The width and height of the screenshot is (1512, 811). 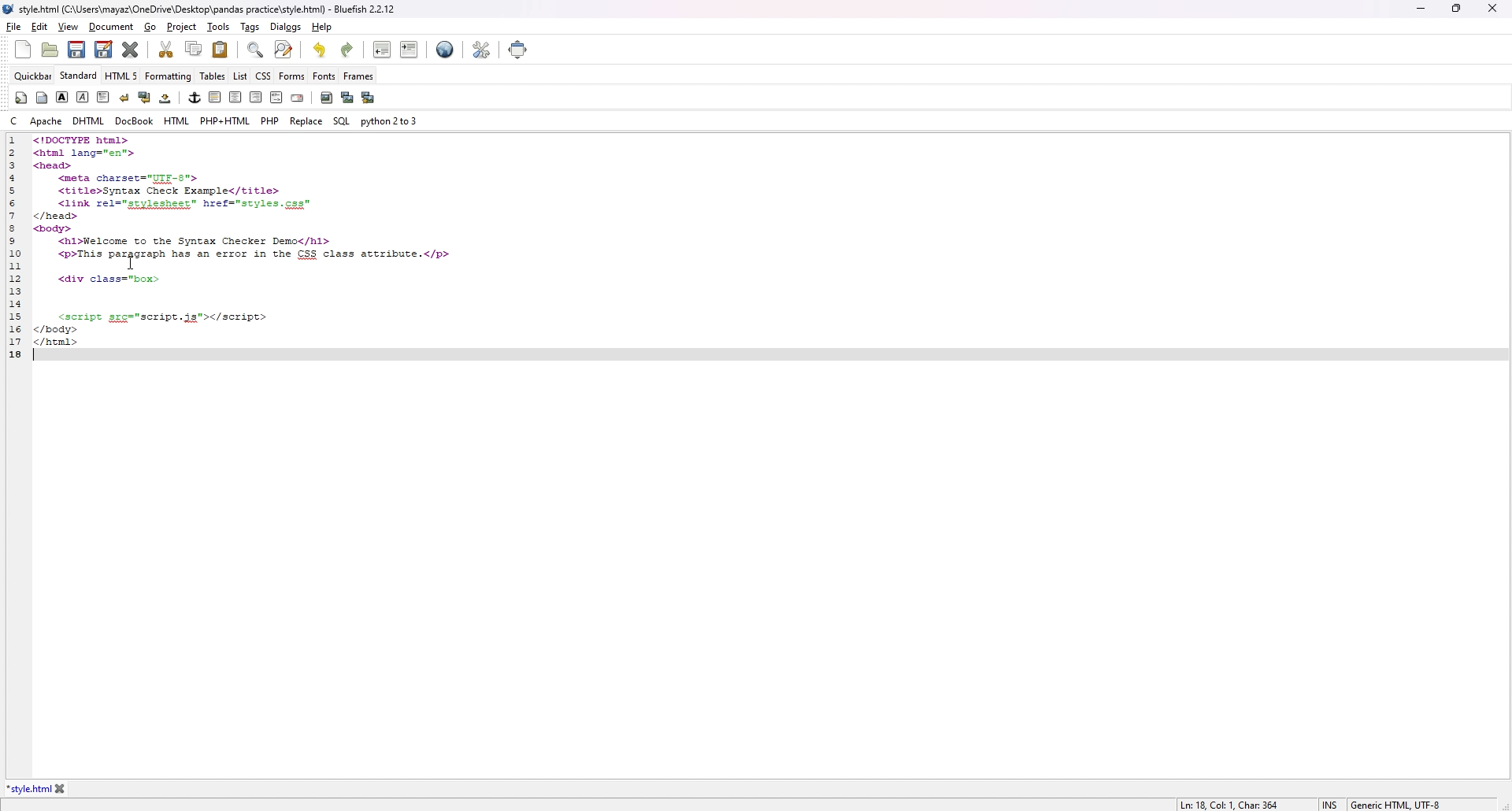 What do you see at coordinates (61, 790) in the screenshot?
I see `close tab` at bounding box center [61, 790].